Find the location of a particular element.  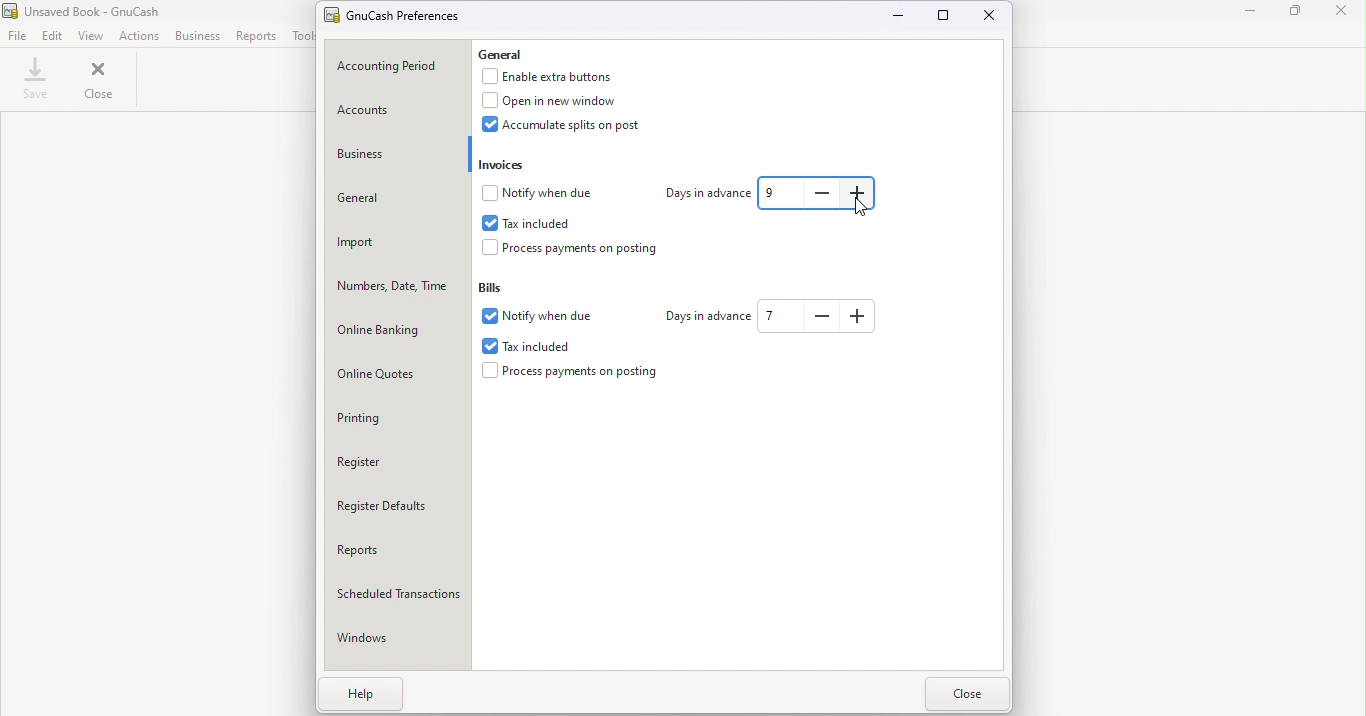

Printing is located at coordinates (401, 418).